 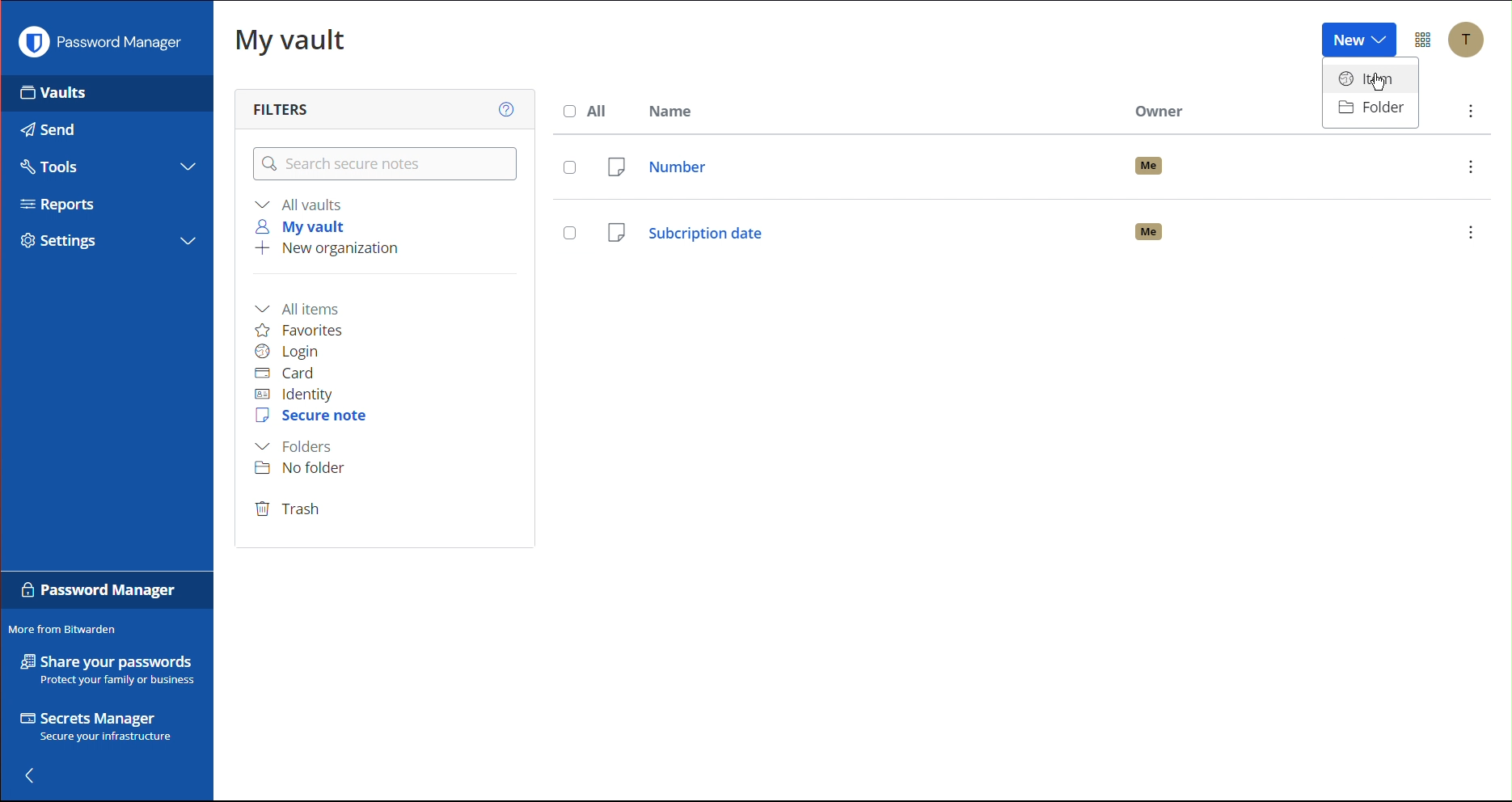 I want to click on Options, so click(x=1425, y=39).